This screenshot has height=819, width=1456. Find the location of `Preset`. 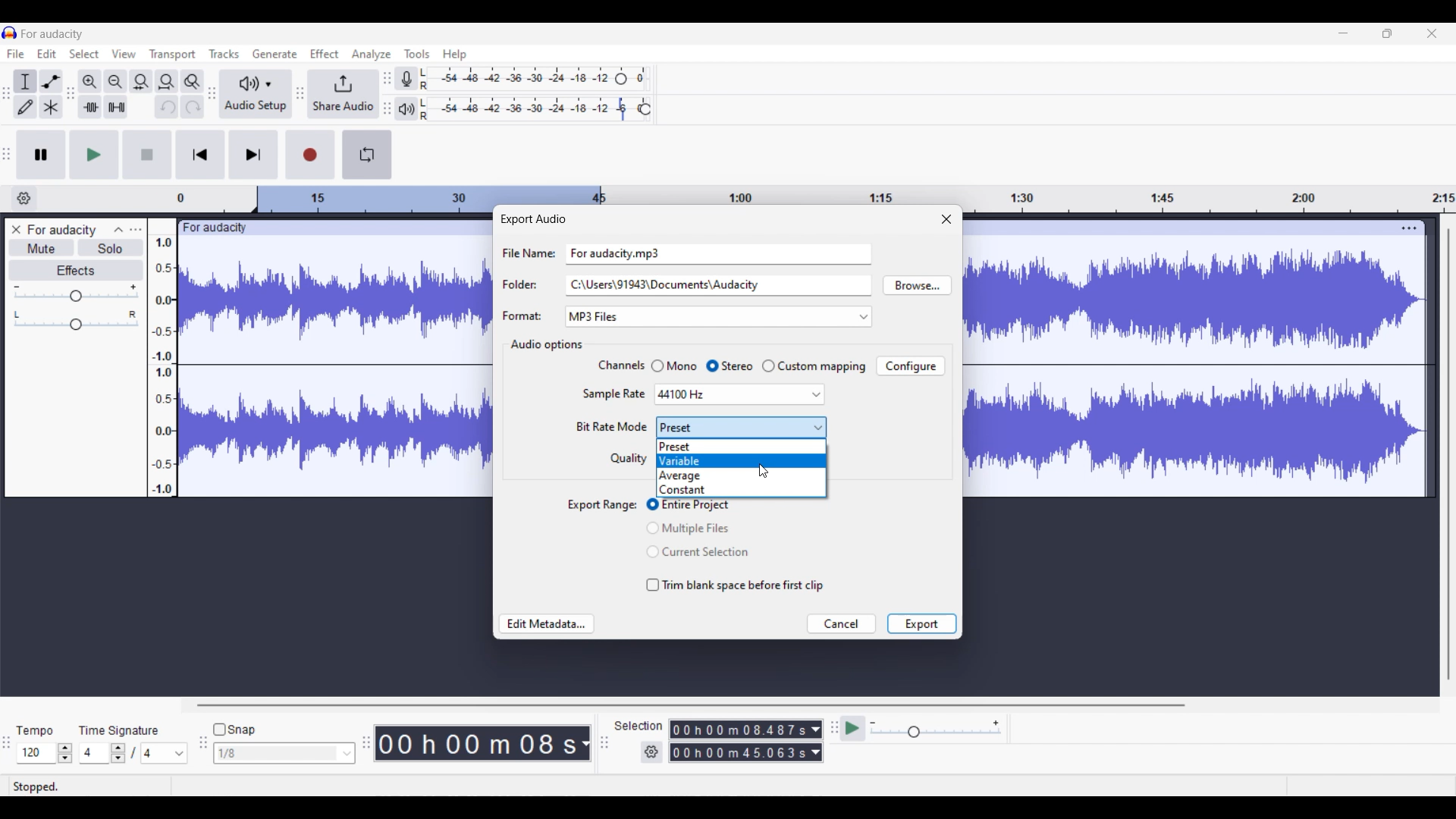

Preset is located at coordinates (742, 447).